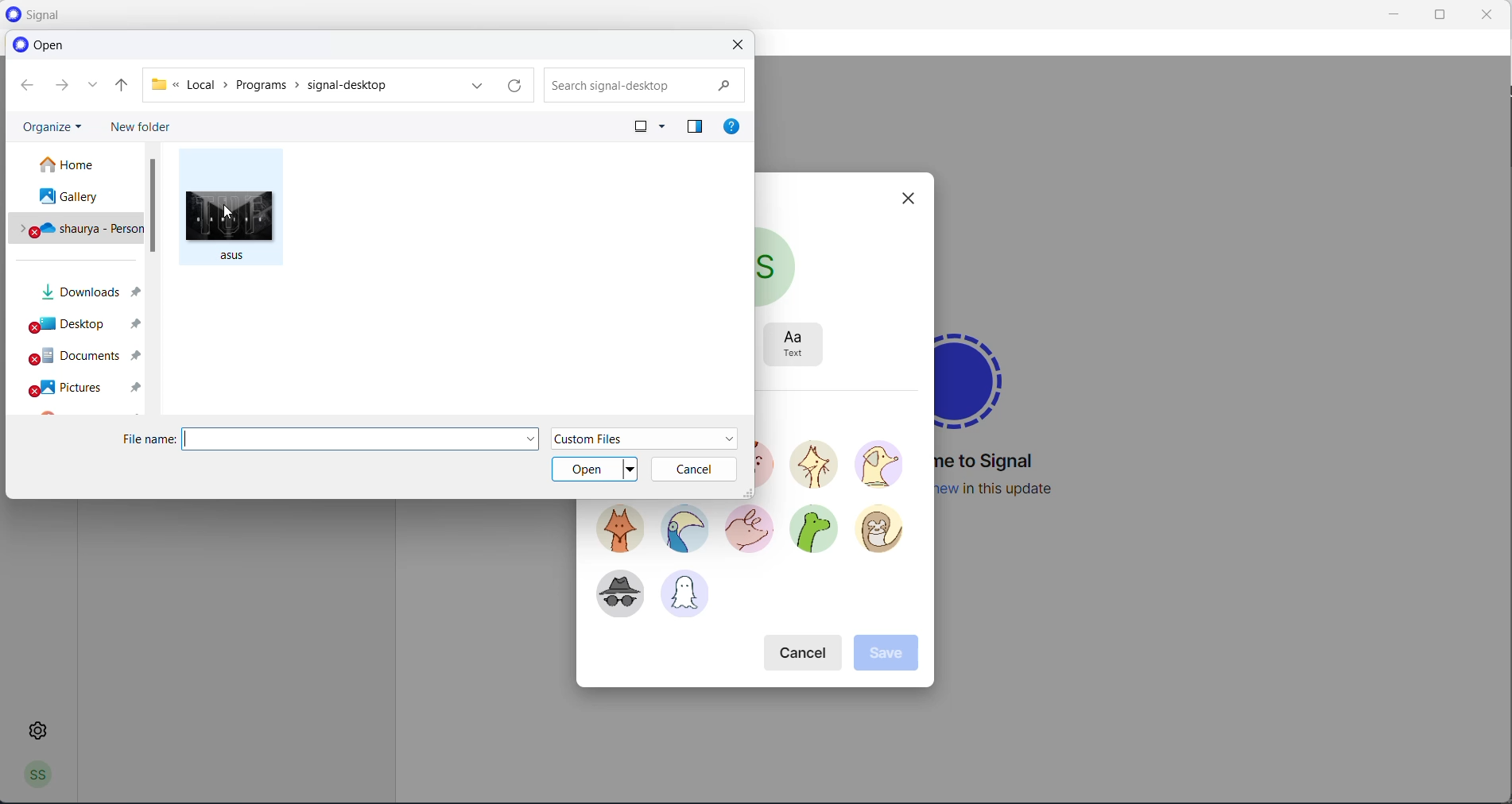 This screenshot has width=1512, height=804. Describe the element at coordinates (1387, 14) in the screenshot. I see `minimize` at that location.